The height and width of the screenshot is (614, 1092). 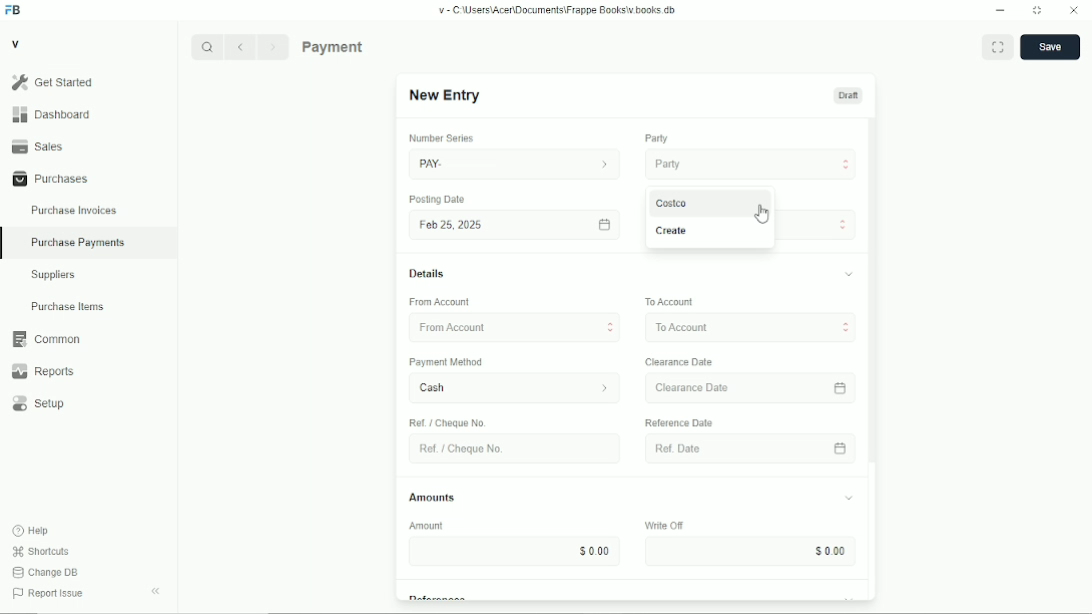 I want to click on Purchase Items, so click(x=88, y=306).